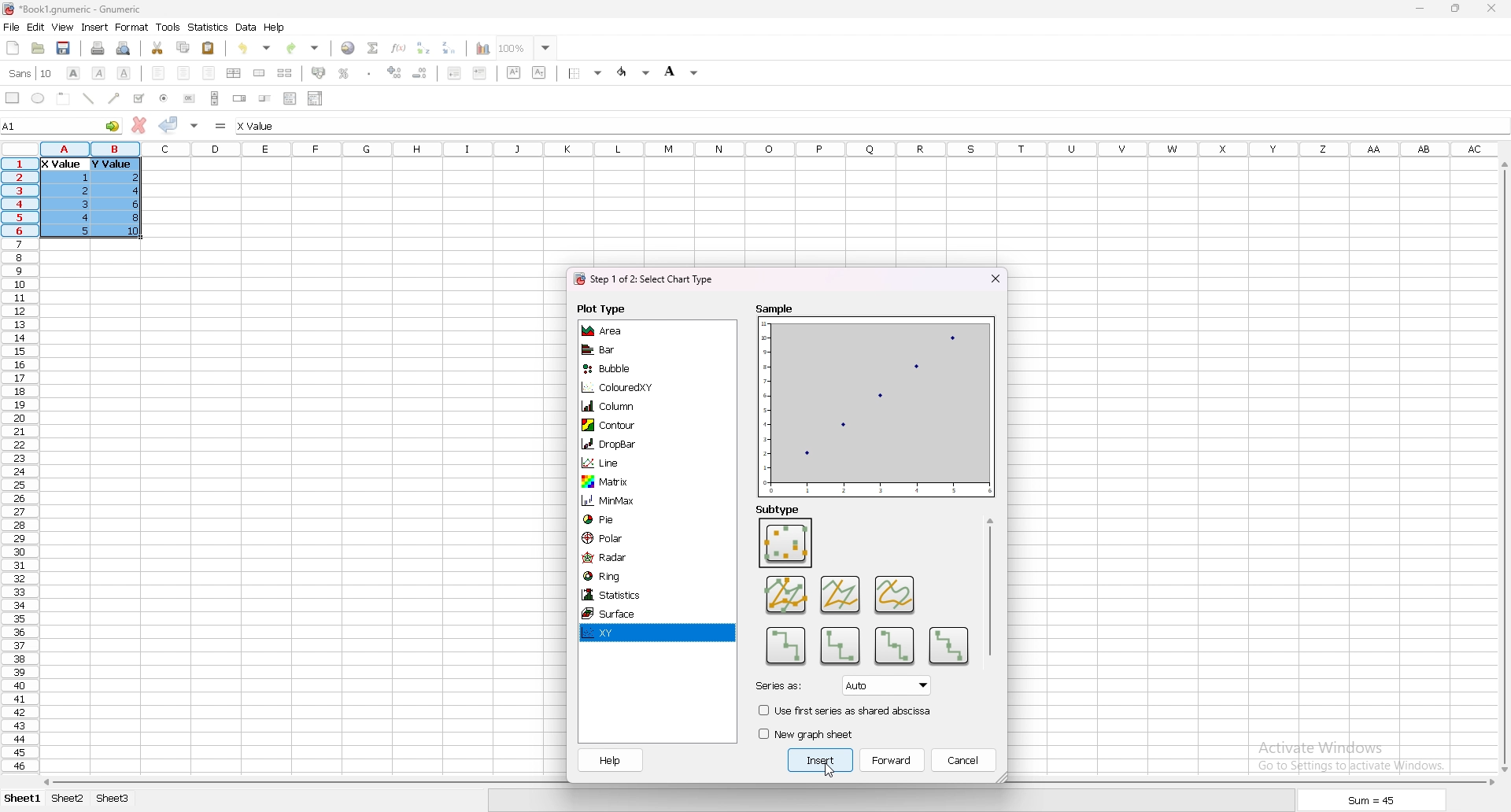 The height and width of the screenshot is (812, 1511). Describe the element at coordinates (831, 772) in the screenshot. I see `cursor` at that location.